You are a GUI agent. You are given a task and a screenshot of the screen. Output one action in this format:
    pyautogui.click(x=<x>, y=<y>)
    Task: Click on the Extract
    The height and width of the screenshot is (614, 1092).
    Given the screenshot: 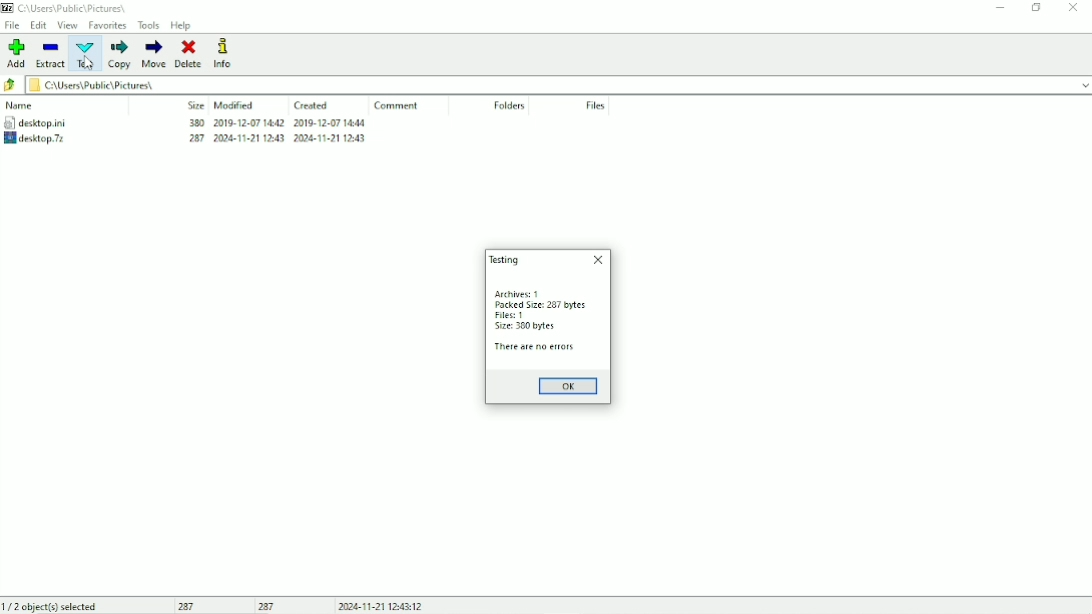 What is the action you would take?
    pyautogui.click(x=51, y=54)
    